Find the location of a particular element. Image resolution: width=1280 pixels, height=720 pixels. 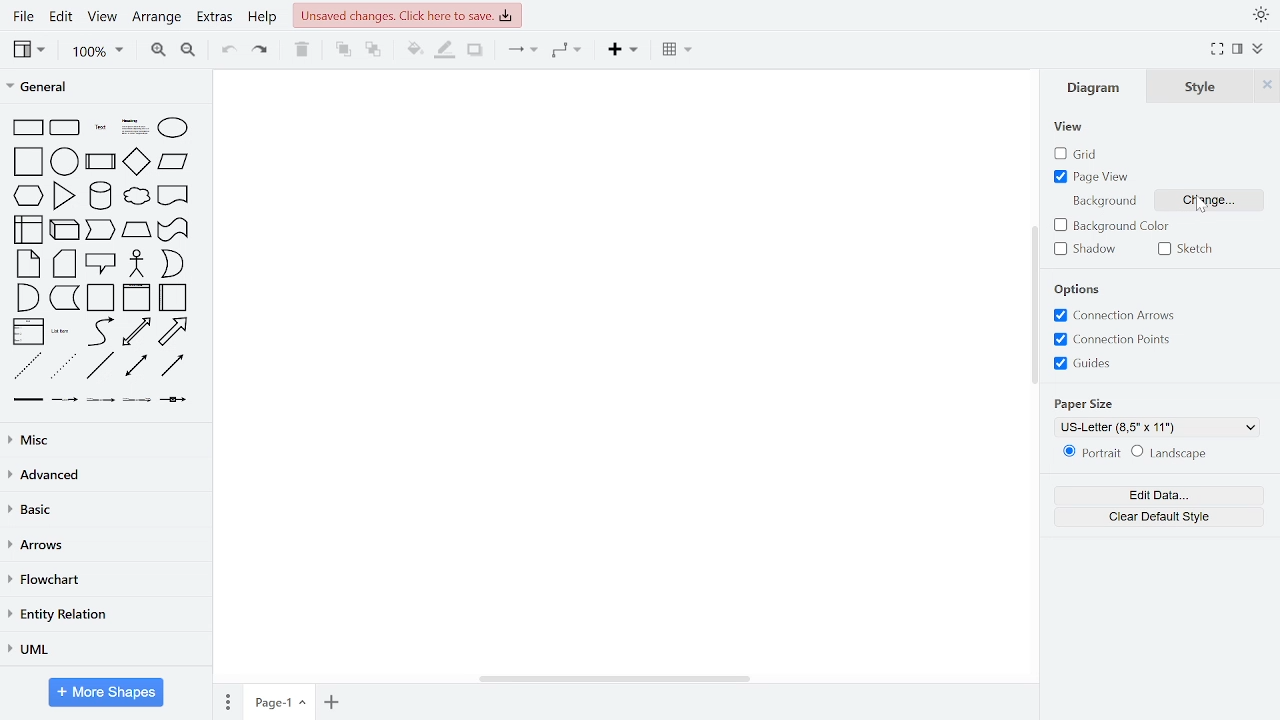

waypoints is located at coordinates (564, 50).